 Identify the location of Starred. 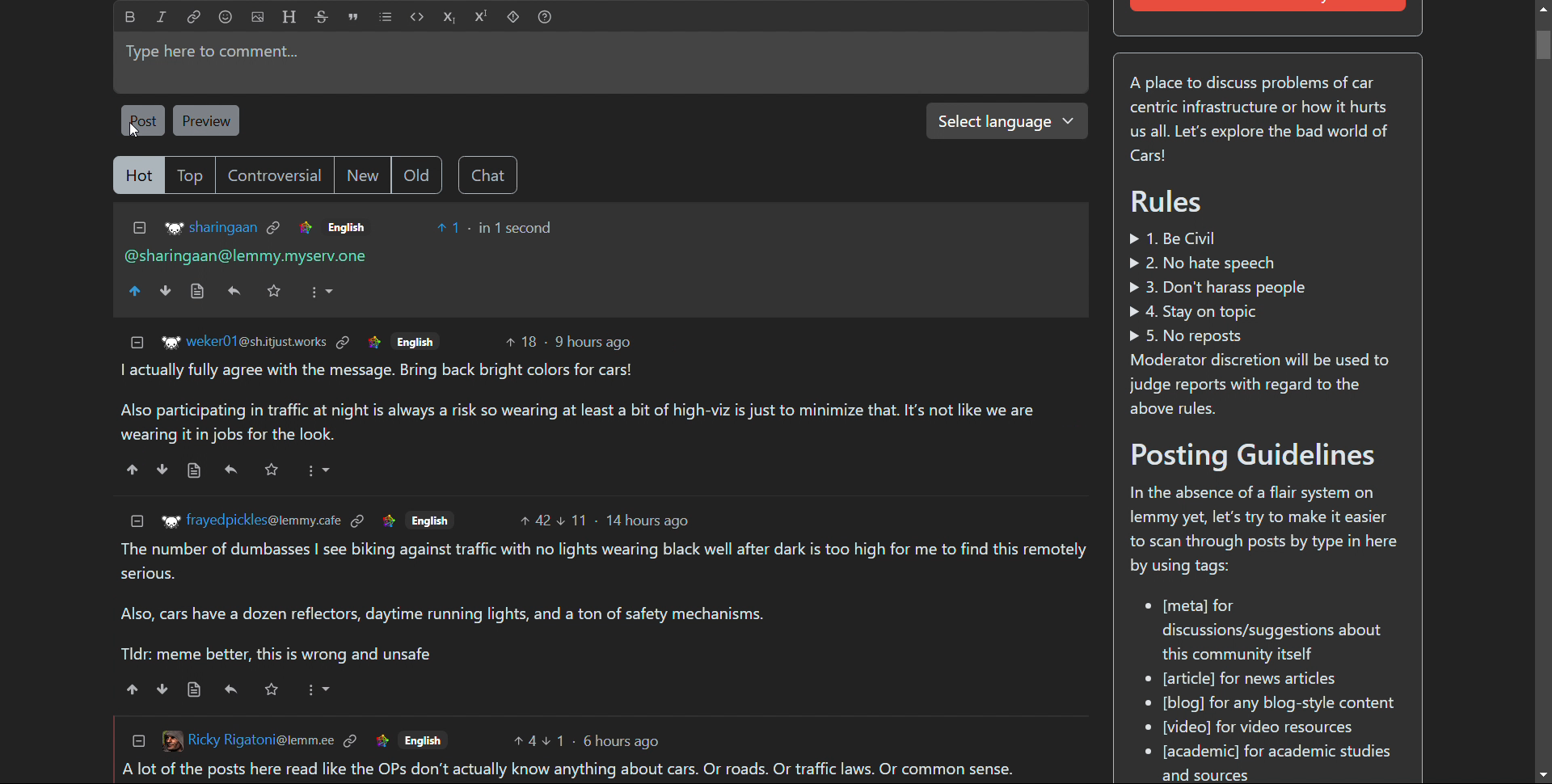
(270, 689).